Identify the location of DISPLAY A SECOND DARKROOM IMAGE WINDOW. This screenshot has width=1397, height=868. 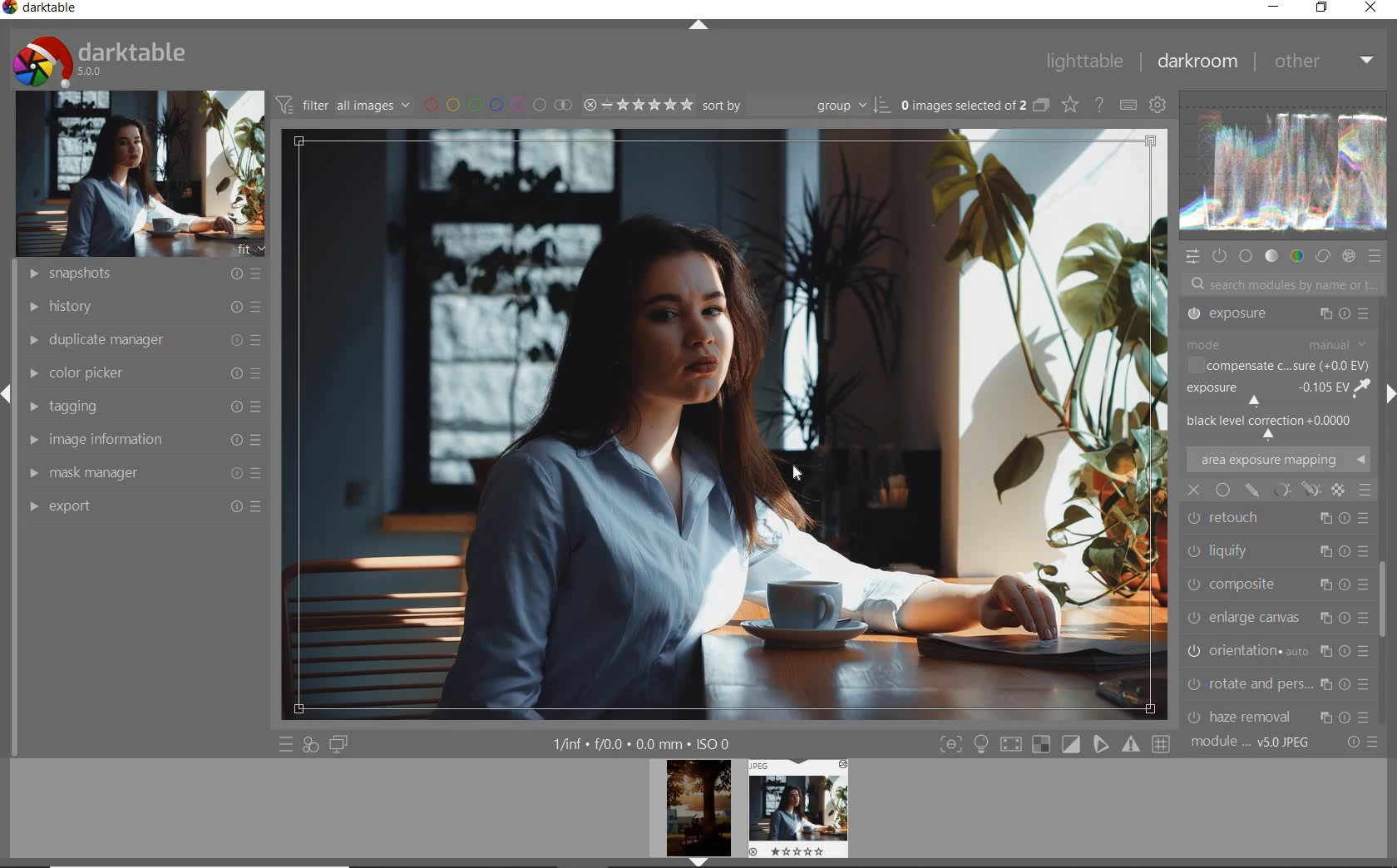
(339, 745).